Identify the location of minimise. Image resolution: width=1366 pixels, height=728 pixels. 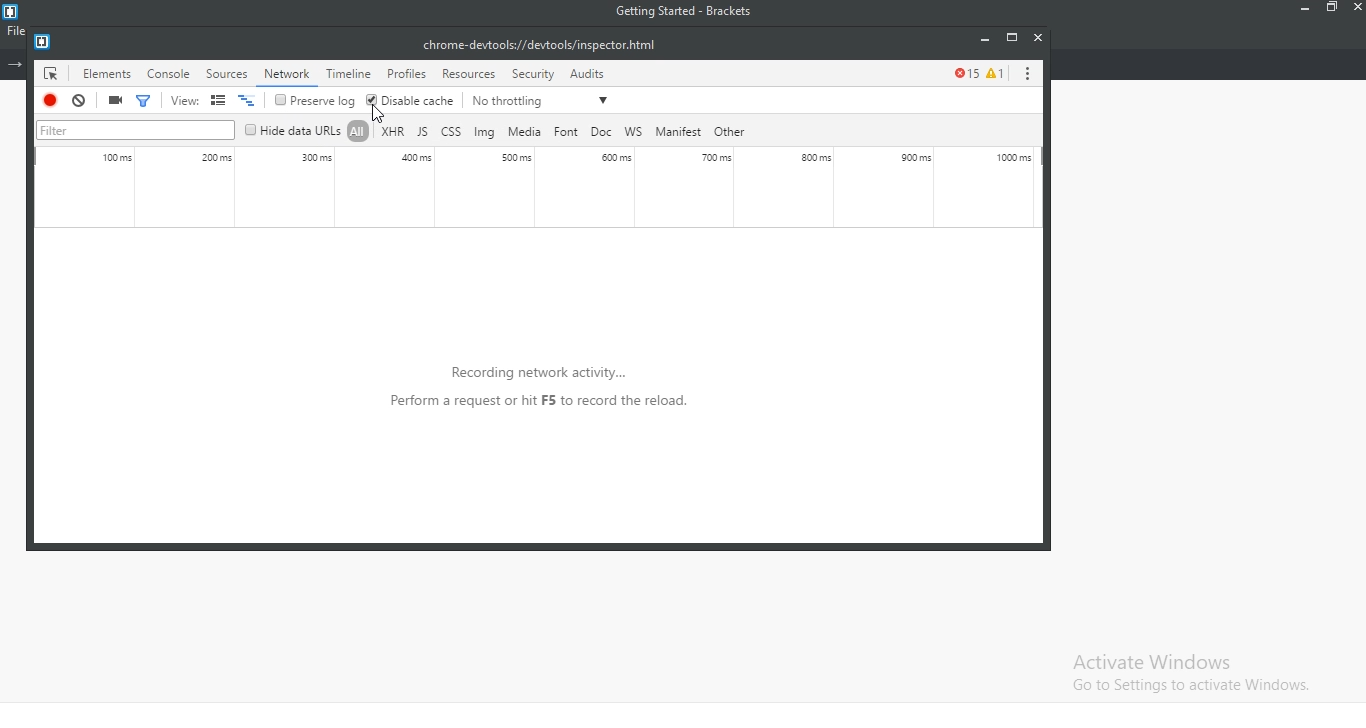
(1298, 11).